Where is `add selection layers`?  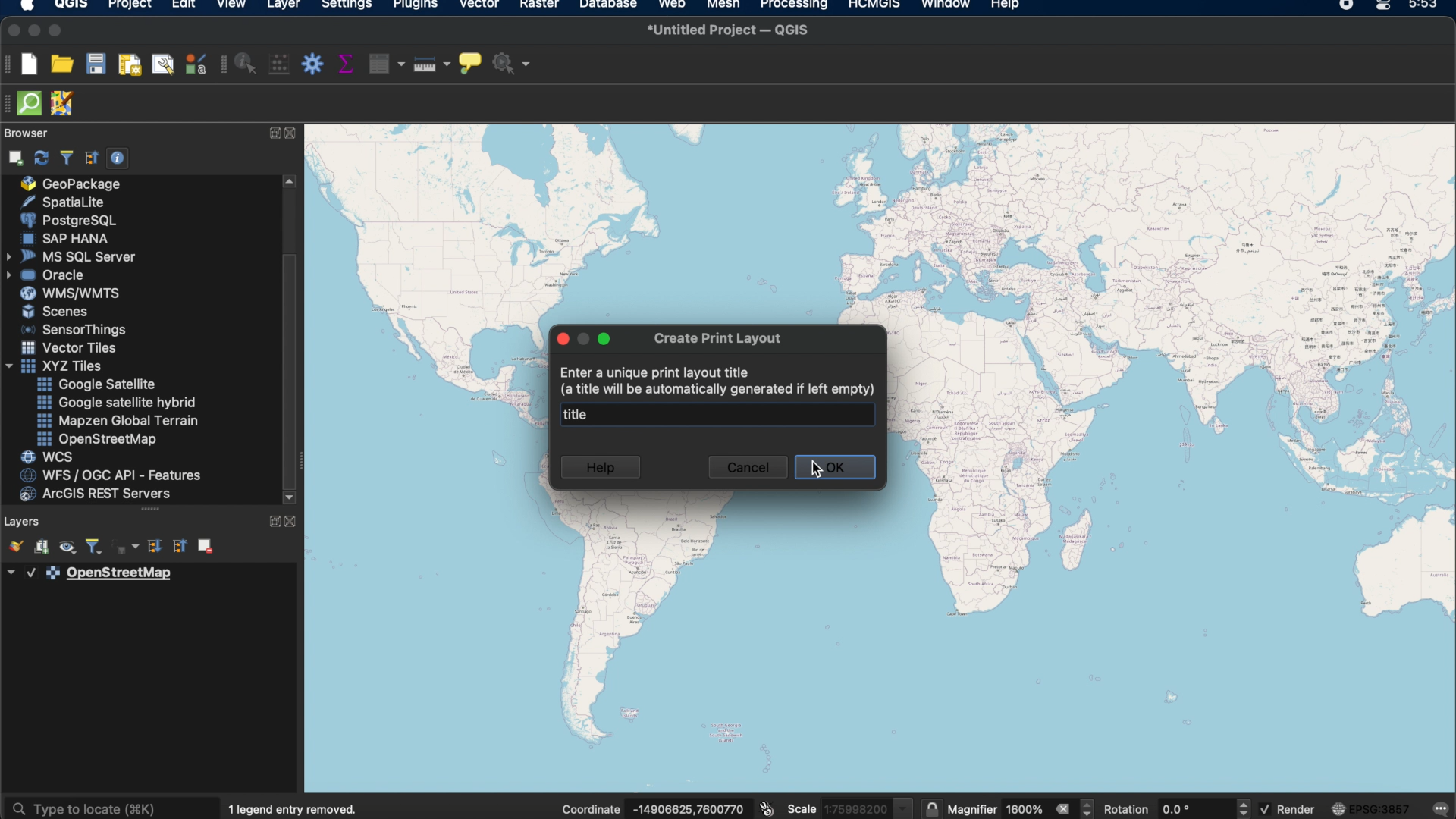 add selection layers is located at coordinates (12, 158).